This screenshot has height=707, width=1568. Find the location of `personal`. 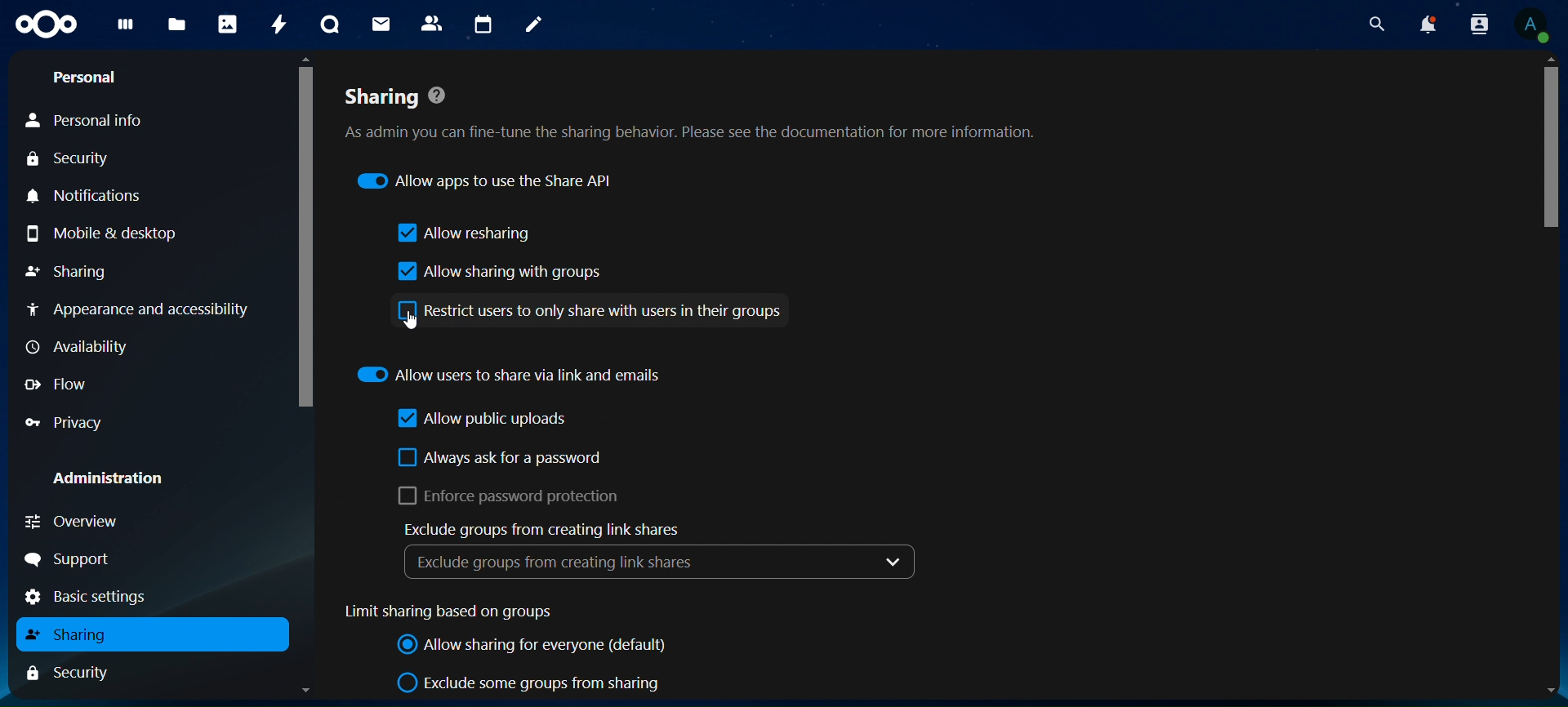

personal is located at coordinates (87, 78).